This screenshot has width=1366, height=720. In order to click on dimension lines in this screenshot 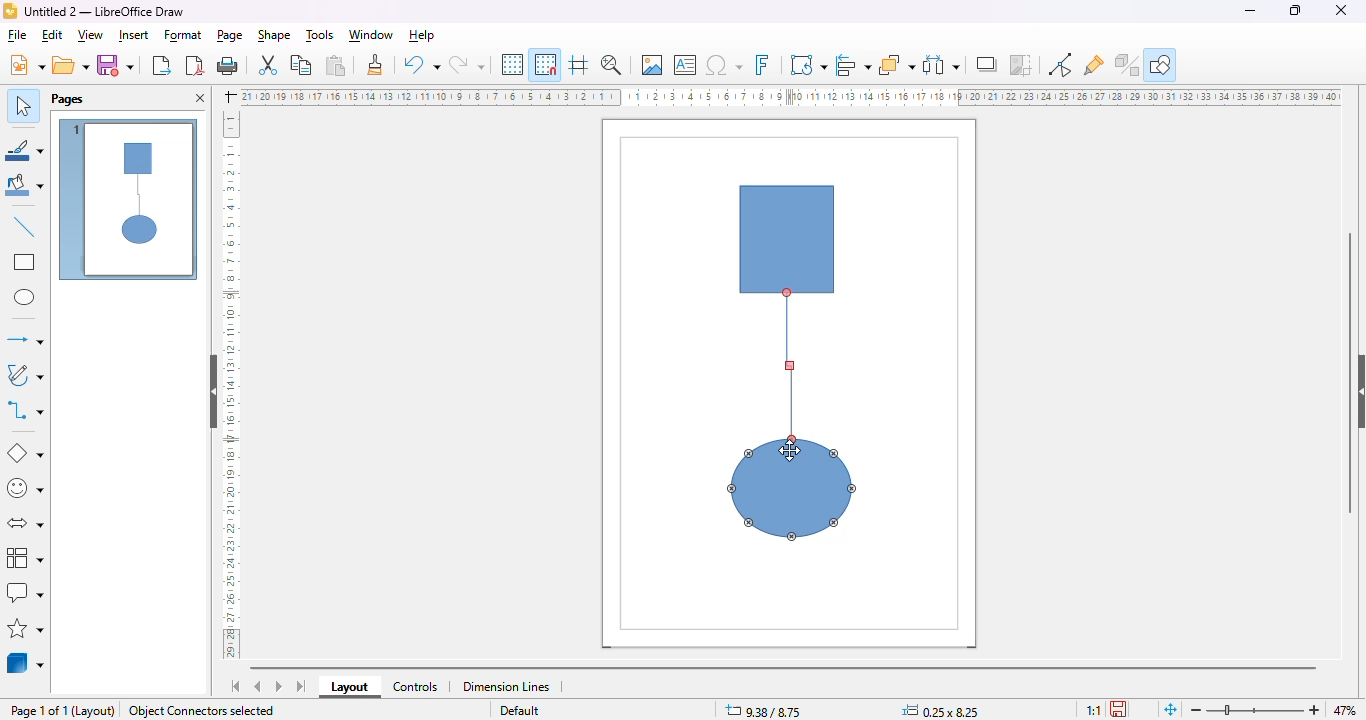, I will do `click(506, 686)`.